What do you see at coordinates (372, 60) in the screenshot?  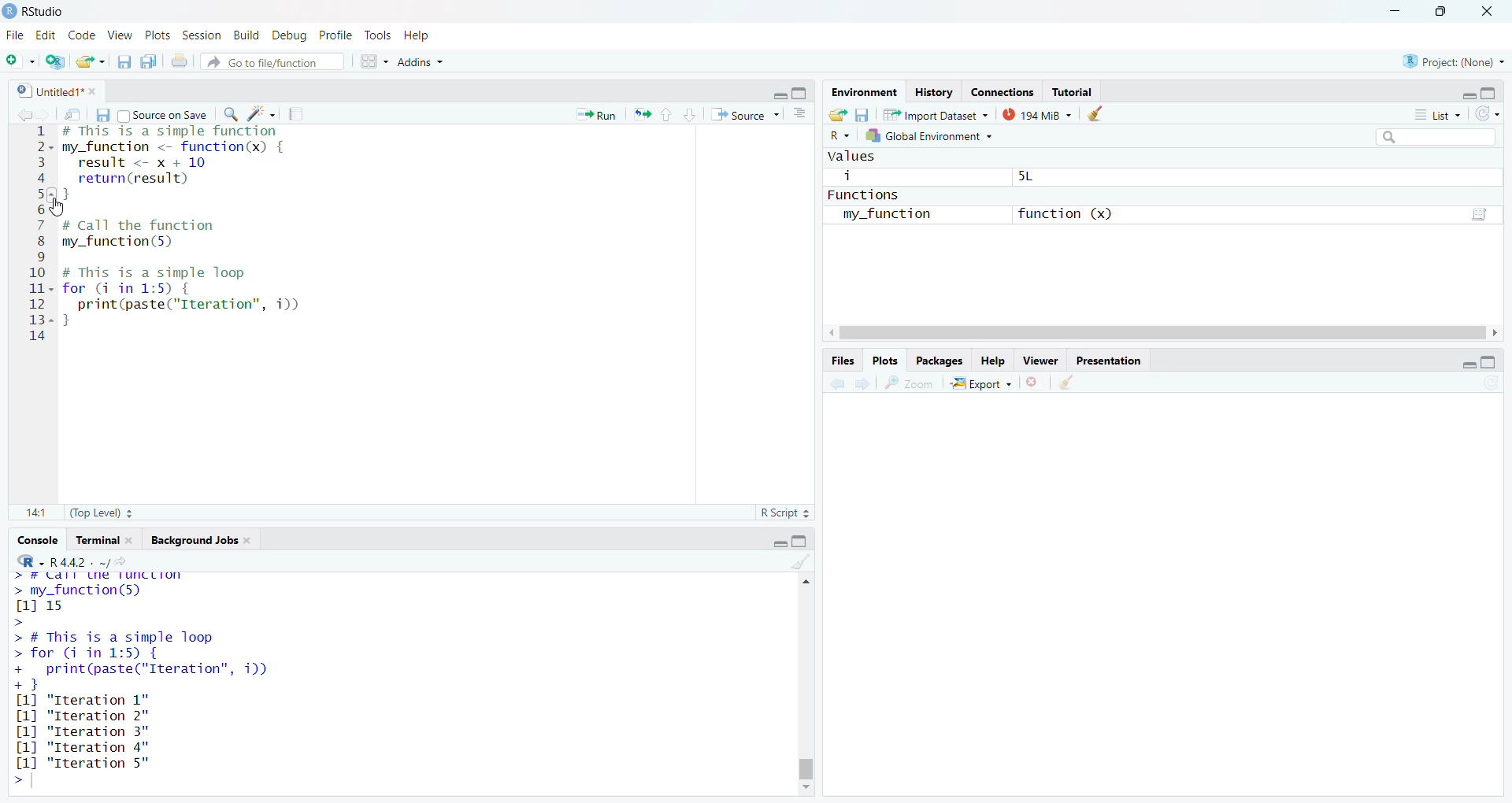 I see `workspace panes` at bounding box center [372, 60].